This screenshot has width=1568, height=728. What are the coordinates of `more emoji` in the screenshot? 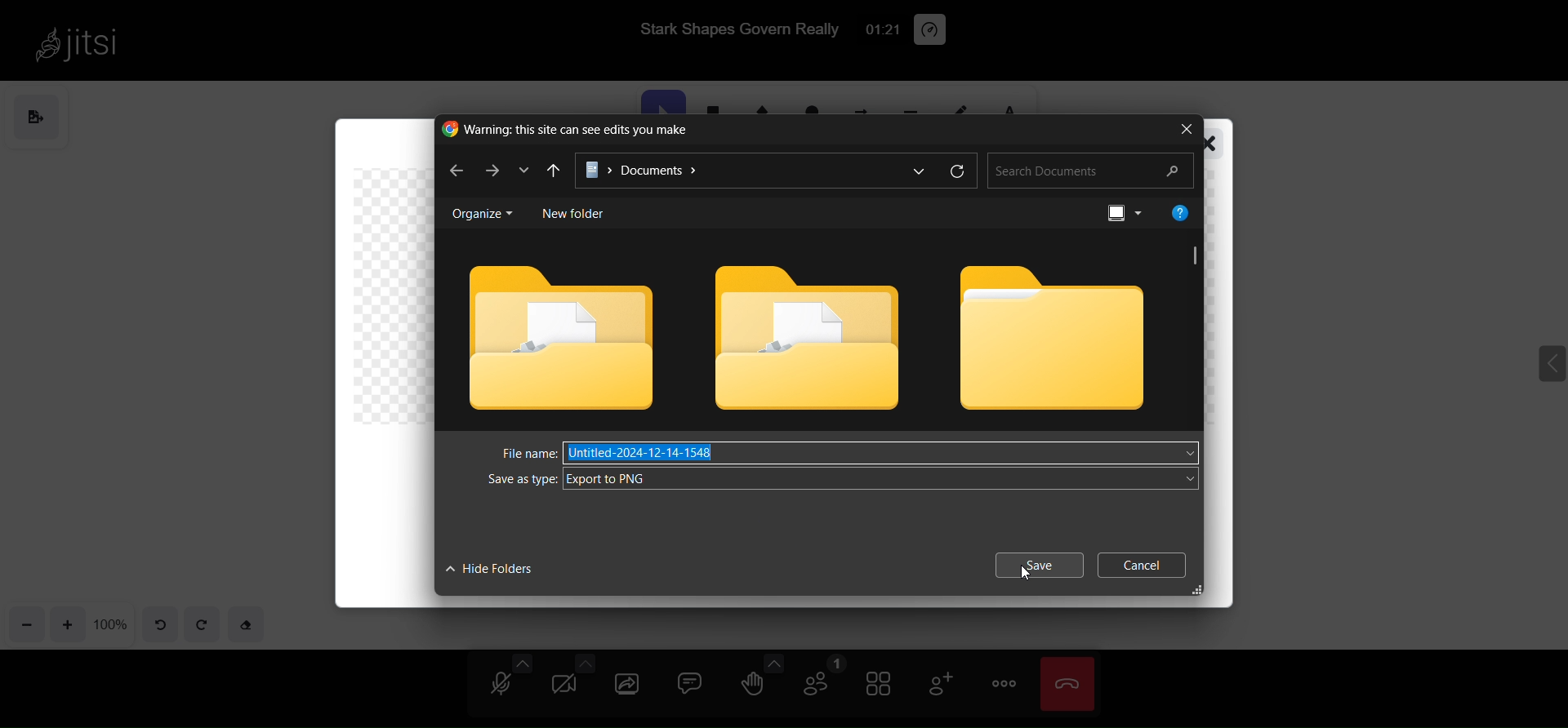 It's located at (770, 661).